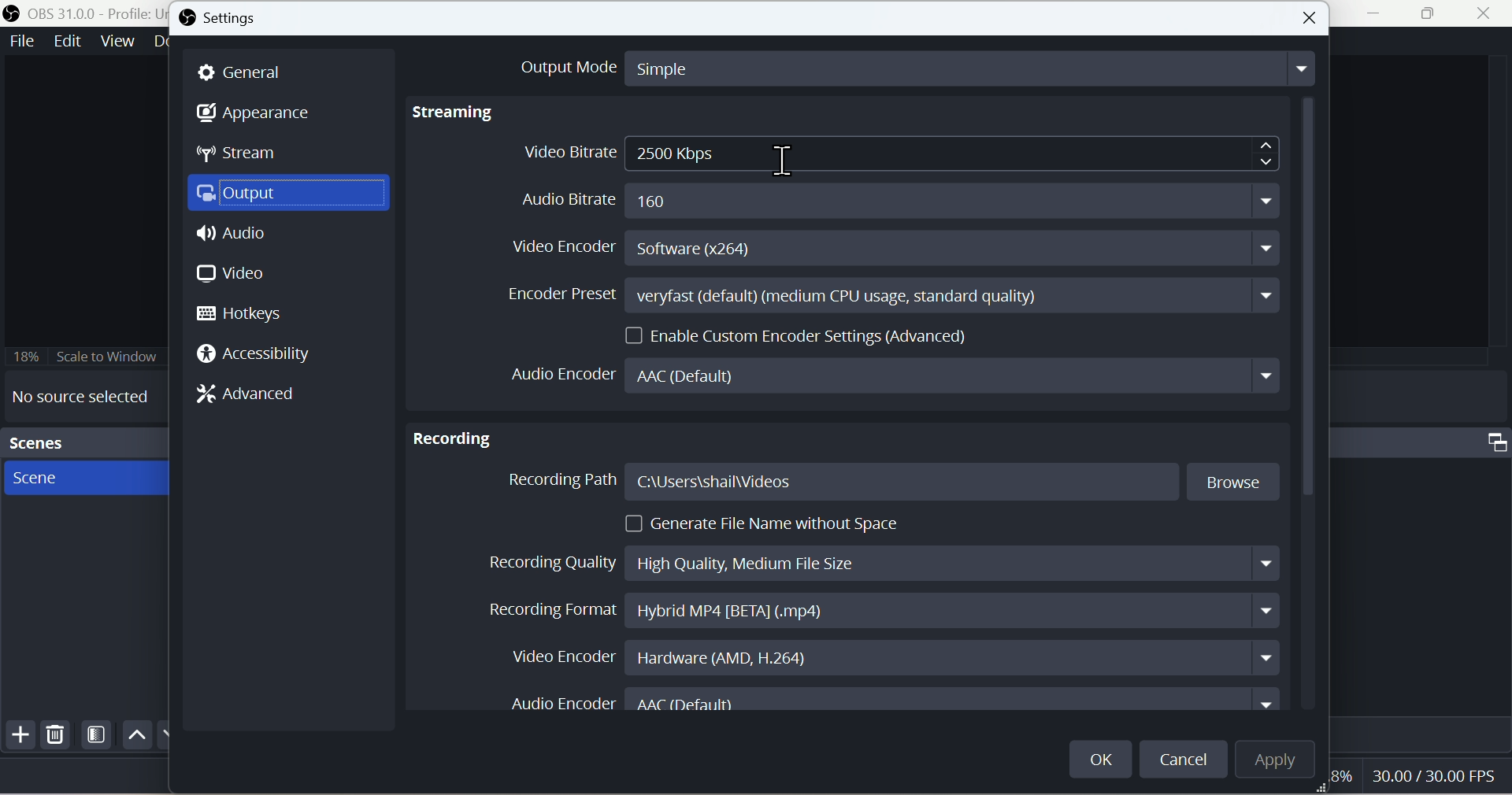  Describe the element at coordinates (1425, 440) in the screenshot. I see `Audio mixer` at that location.